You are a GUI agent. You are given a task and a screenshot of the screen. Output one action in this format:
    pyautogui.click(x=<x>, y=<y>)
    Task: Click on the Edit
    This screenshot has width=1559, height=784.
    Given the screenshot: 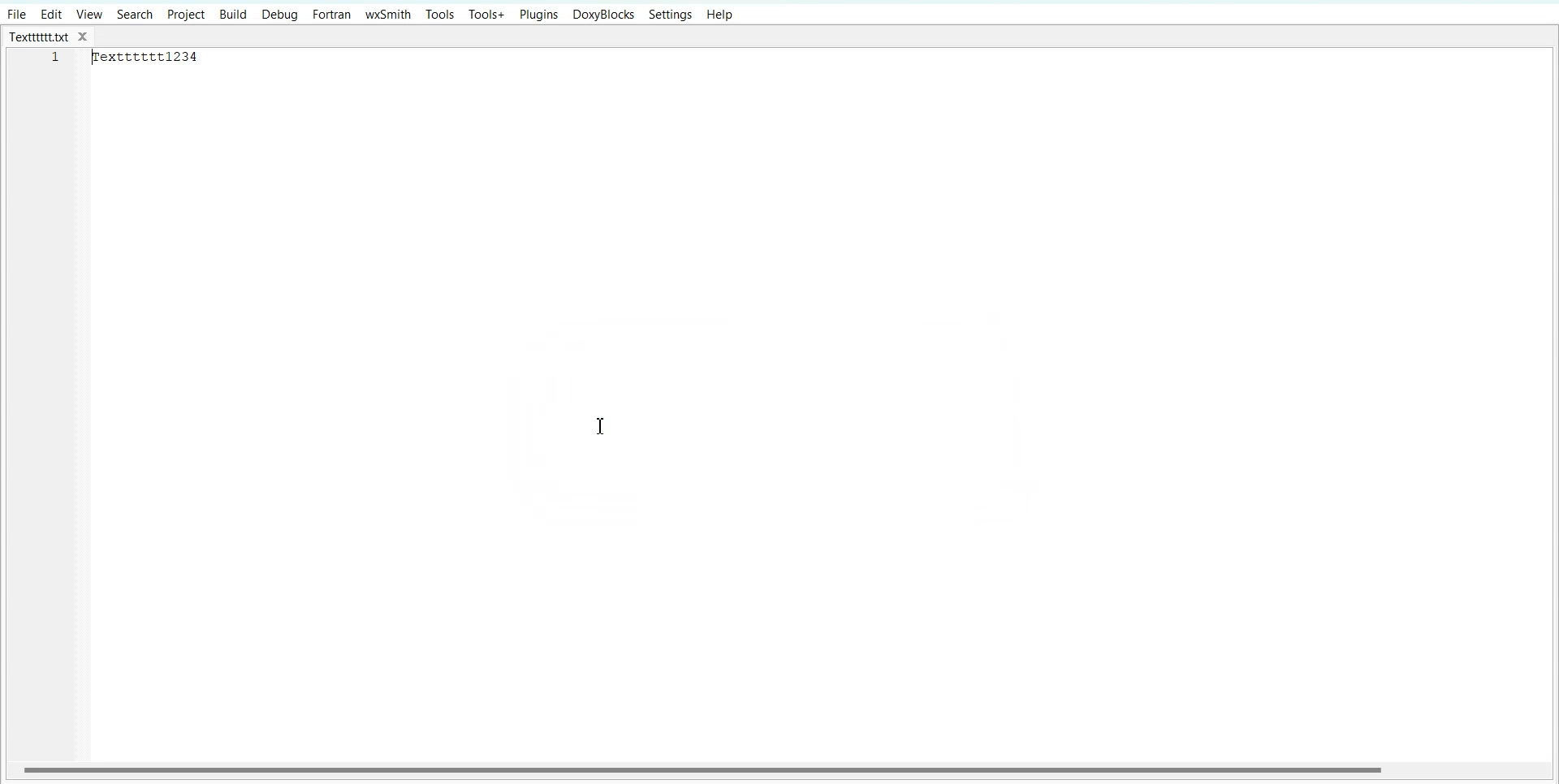 What is the action you would take?
    pyautogui.click(x=51, y=14)
    